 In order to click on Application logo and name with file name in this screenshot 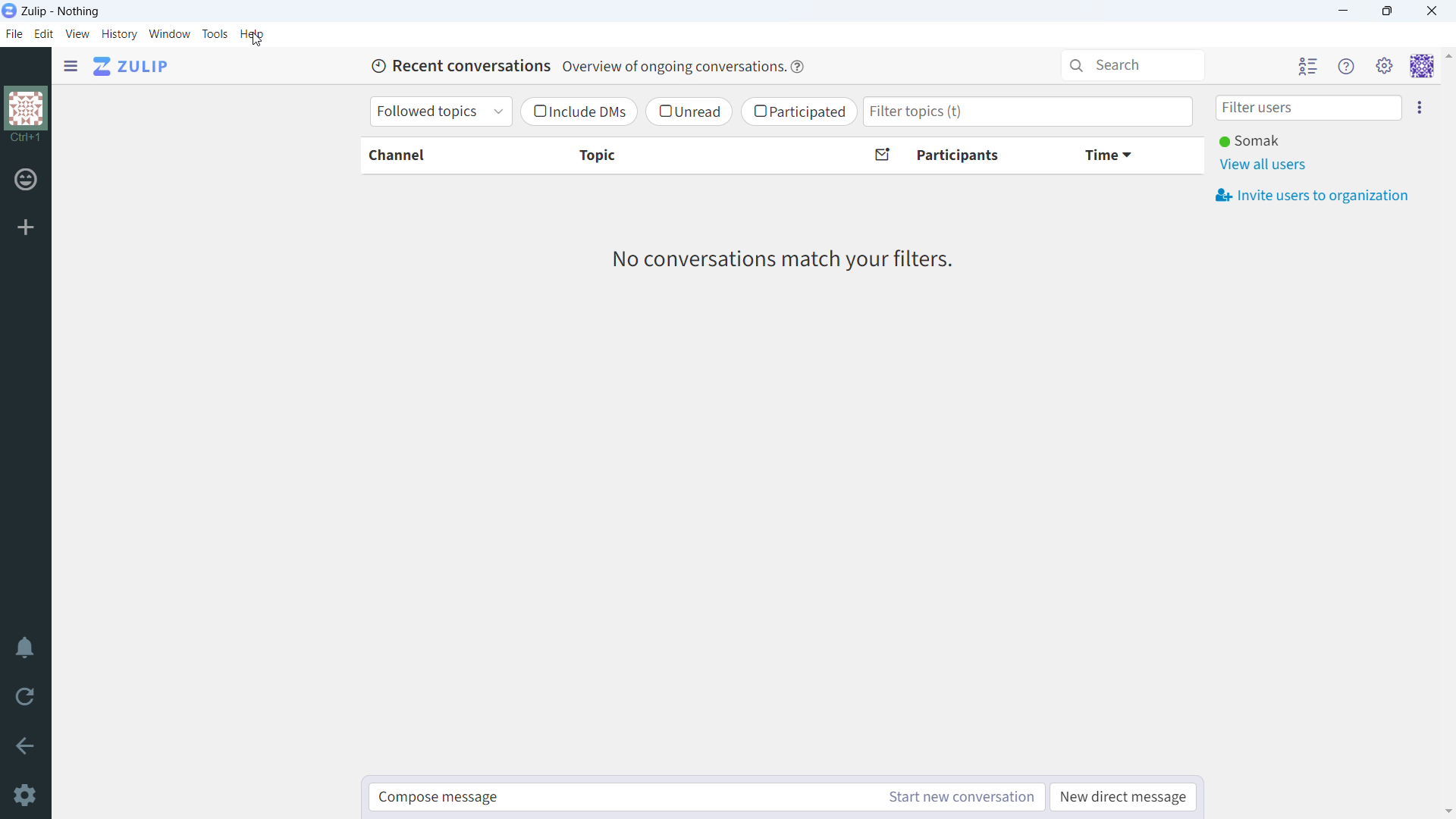, I will do `click(56, 11)`.